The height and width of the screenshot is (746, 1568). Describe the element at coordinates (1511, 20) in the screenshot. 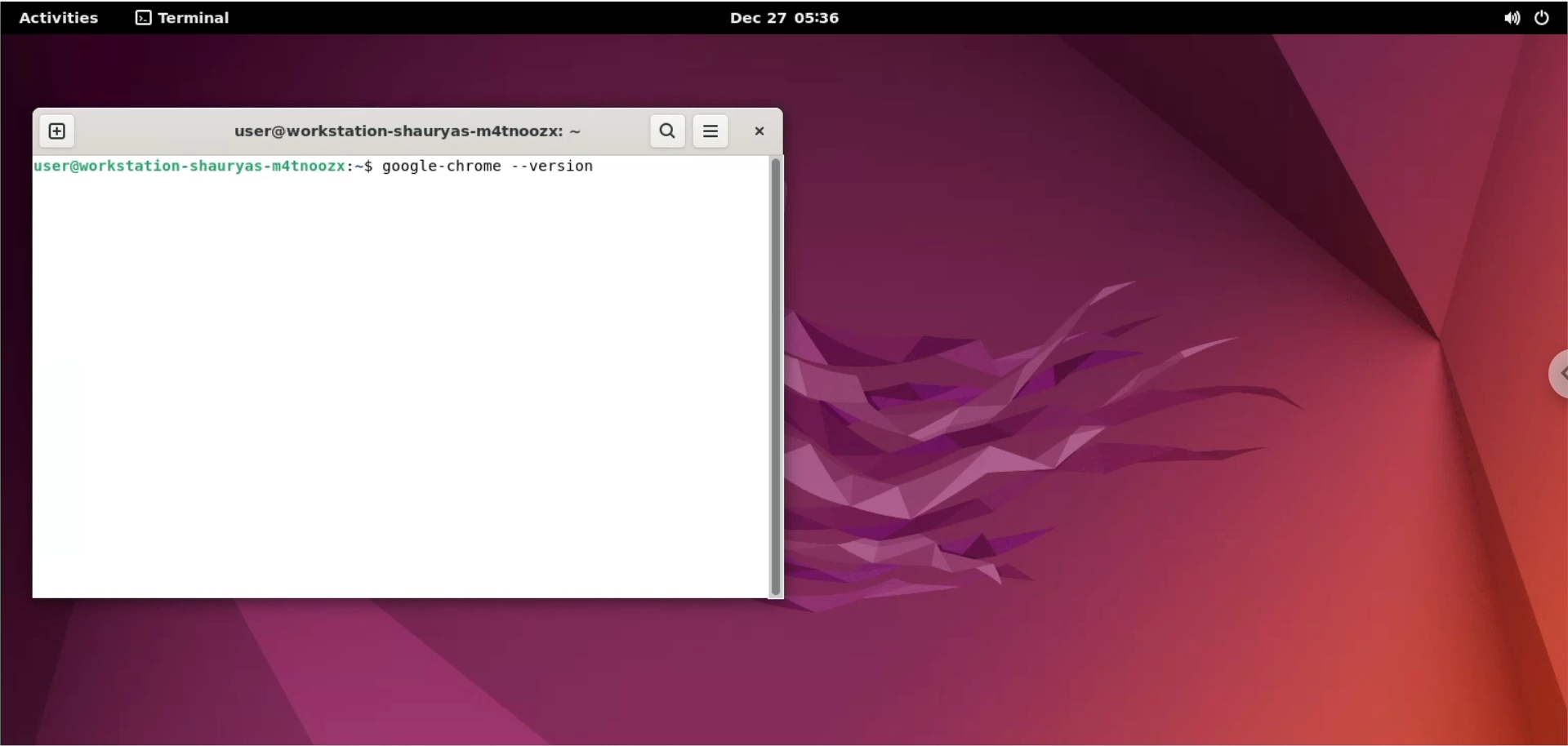

I see `sound options` at that location.